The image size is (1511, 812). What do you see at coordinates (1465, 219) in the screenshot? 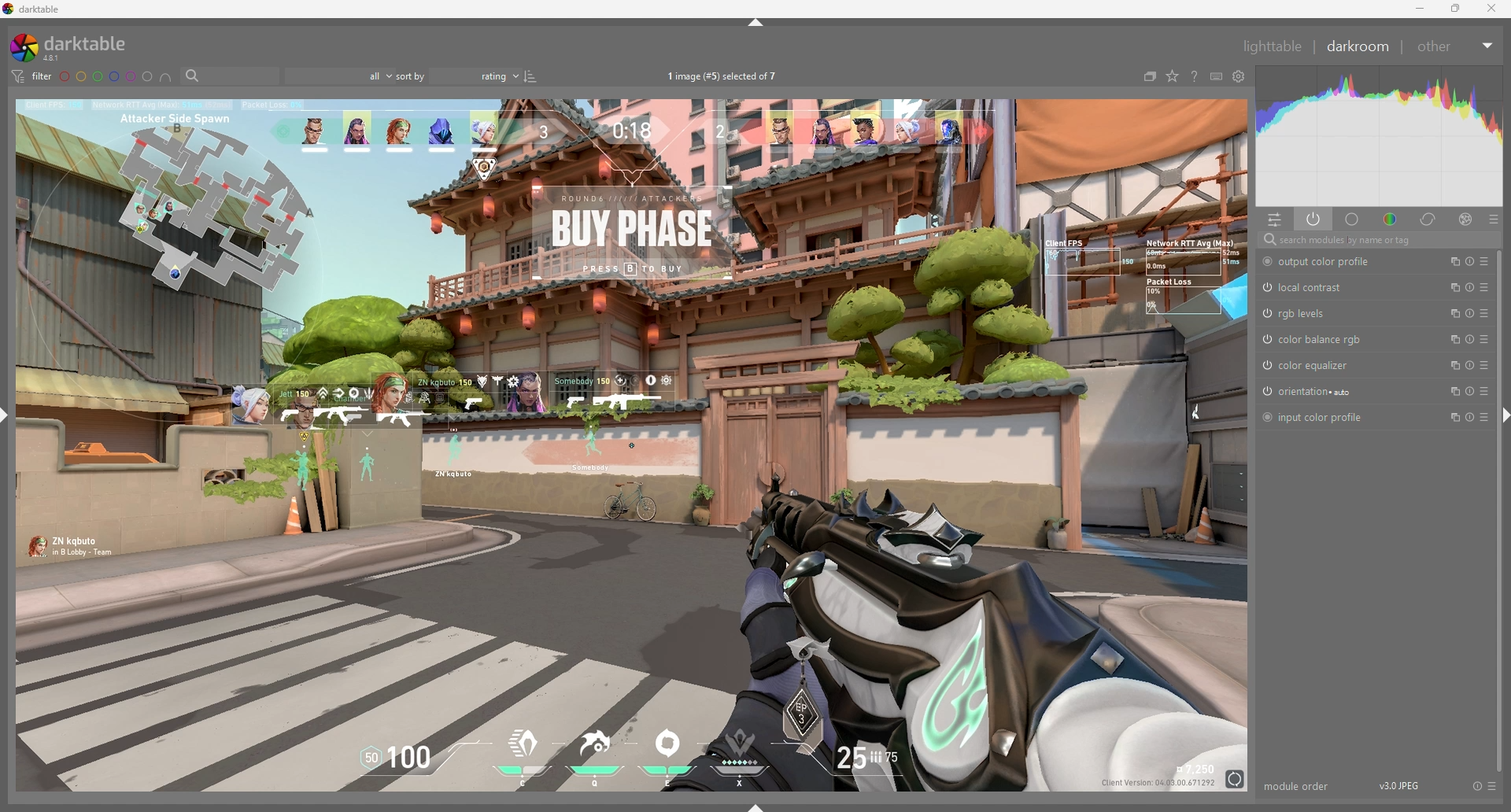
I see `effect` at bounding box center [1465, 219].